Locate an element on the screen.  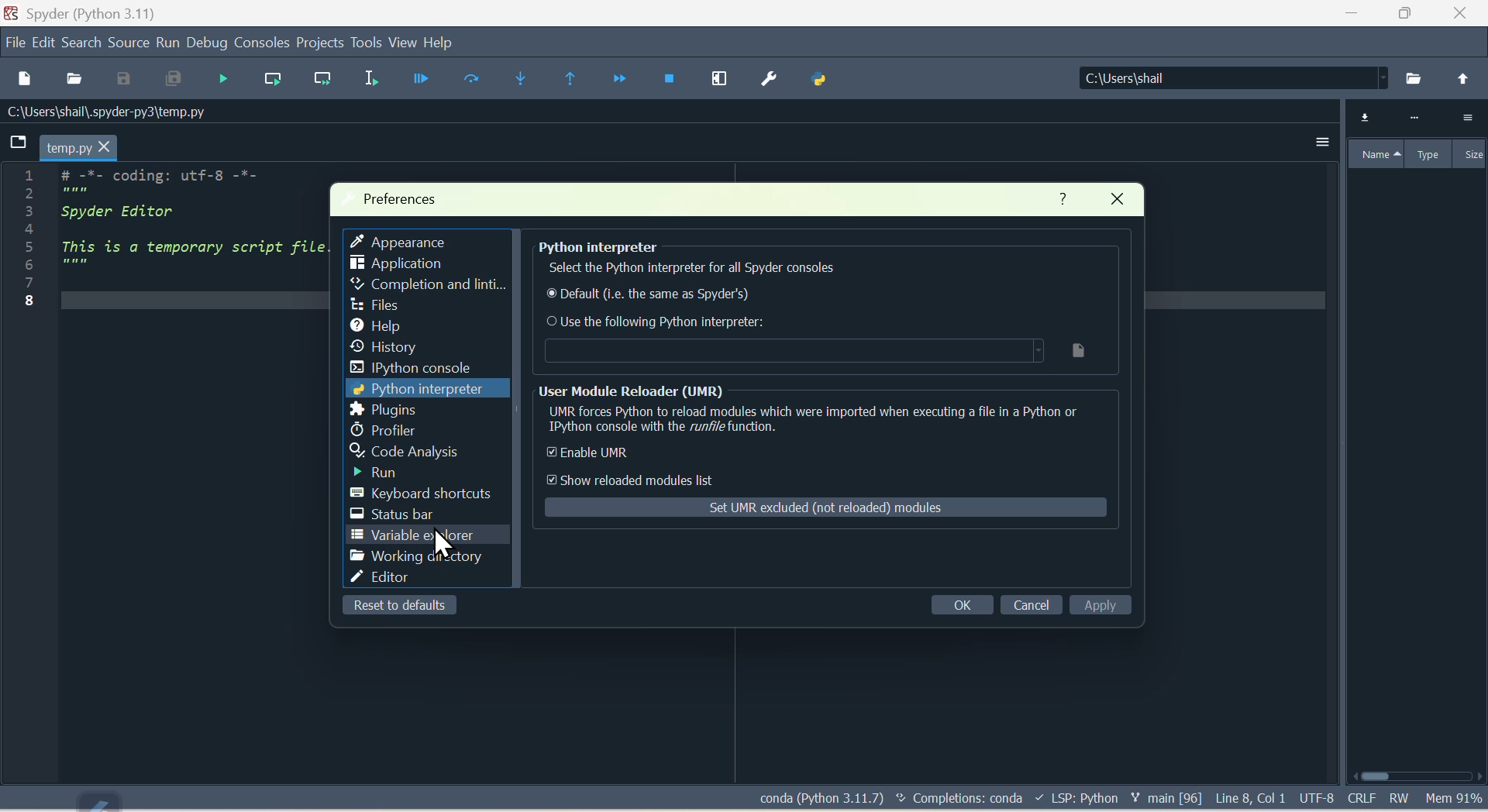
 is located at coordinates (380, 305).